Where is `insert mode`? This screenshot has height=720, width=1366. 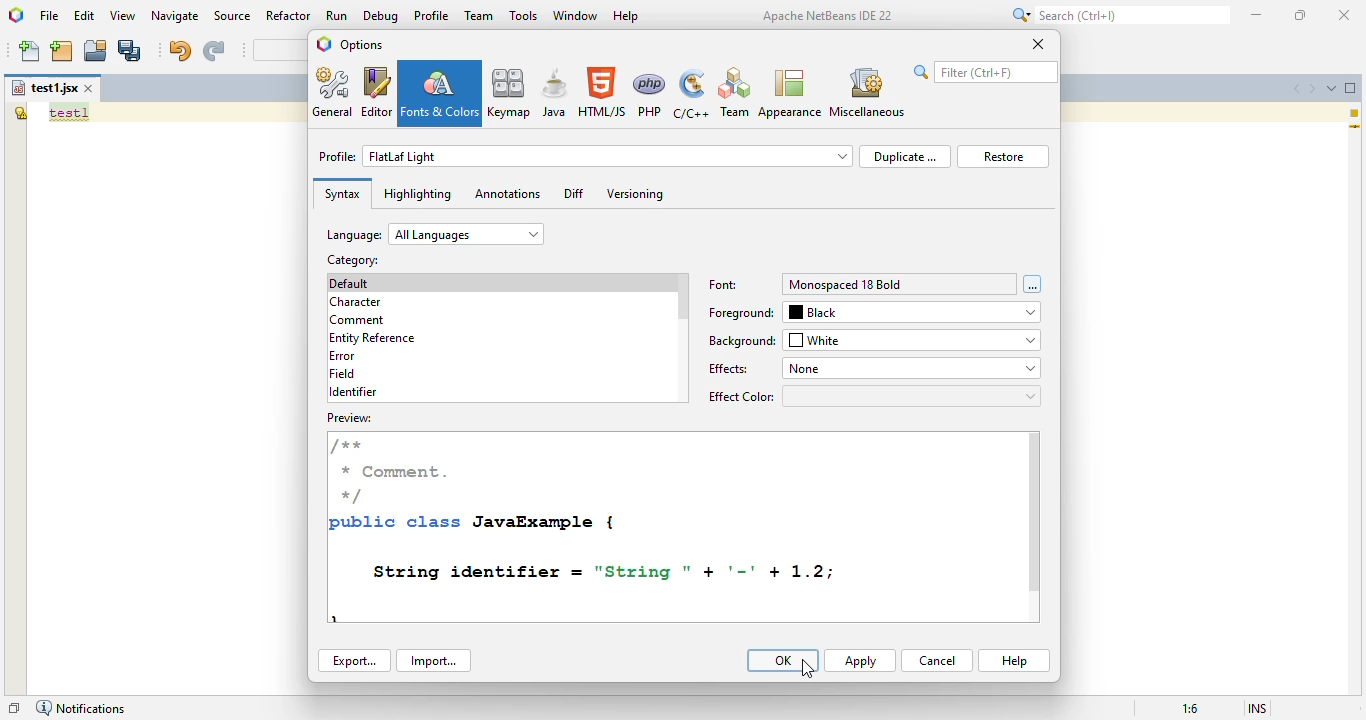 insert mode is located at coordinates (1258, 709).